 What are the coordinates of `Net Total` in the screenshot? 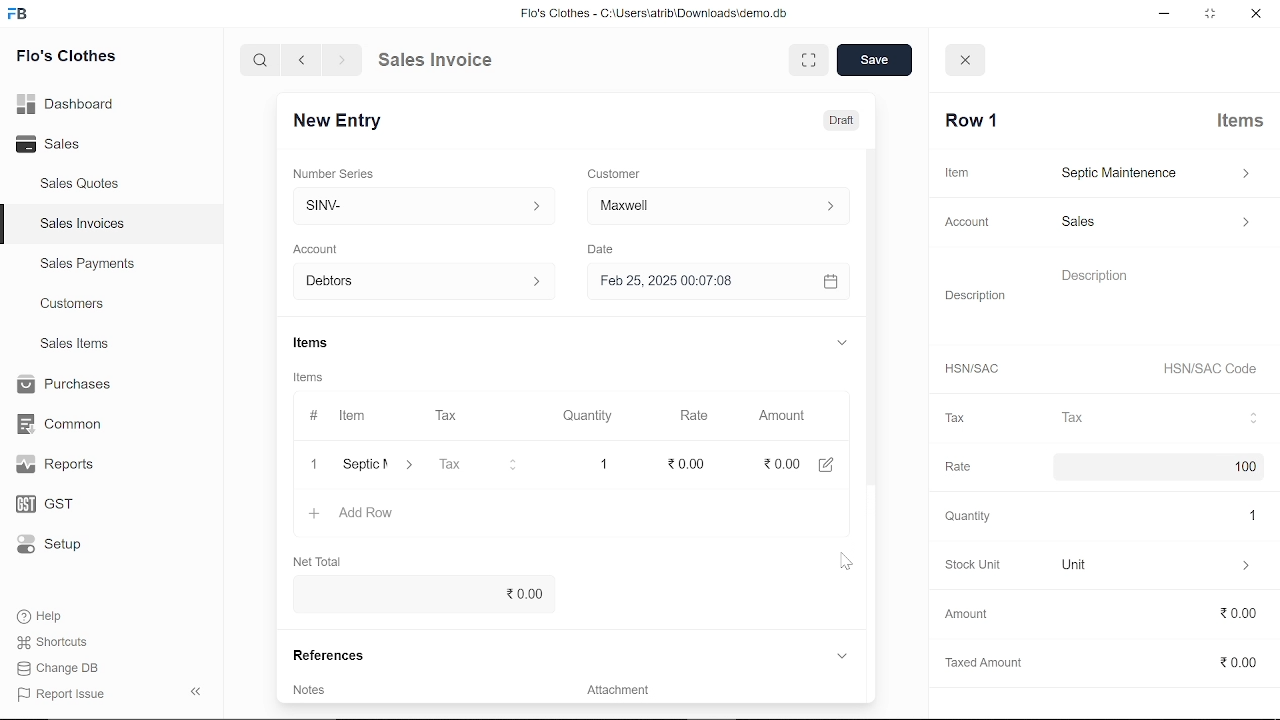 It's located at (323, 559).